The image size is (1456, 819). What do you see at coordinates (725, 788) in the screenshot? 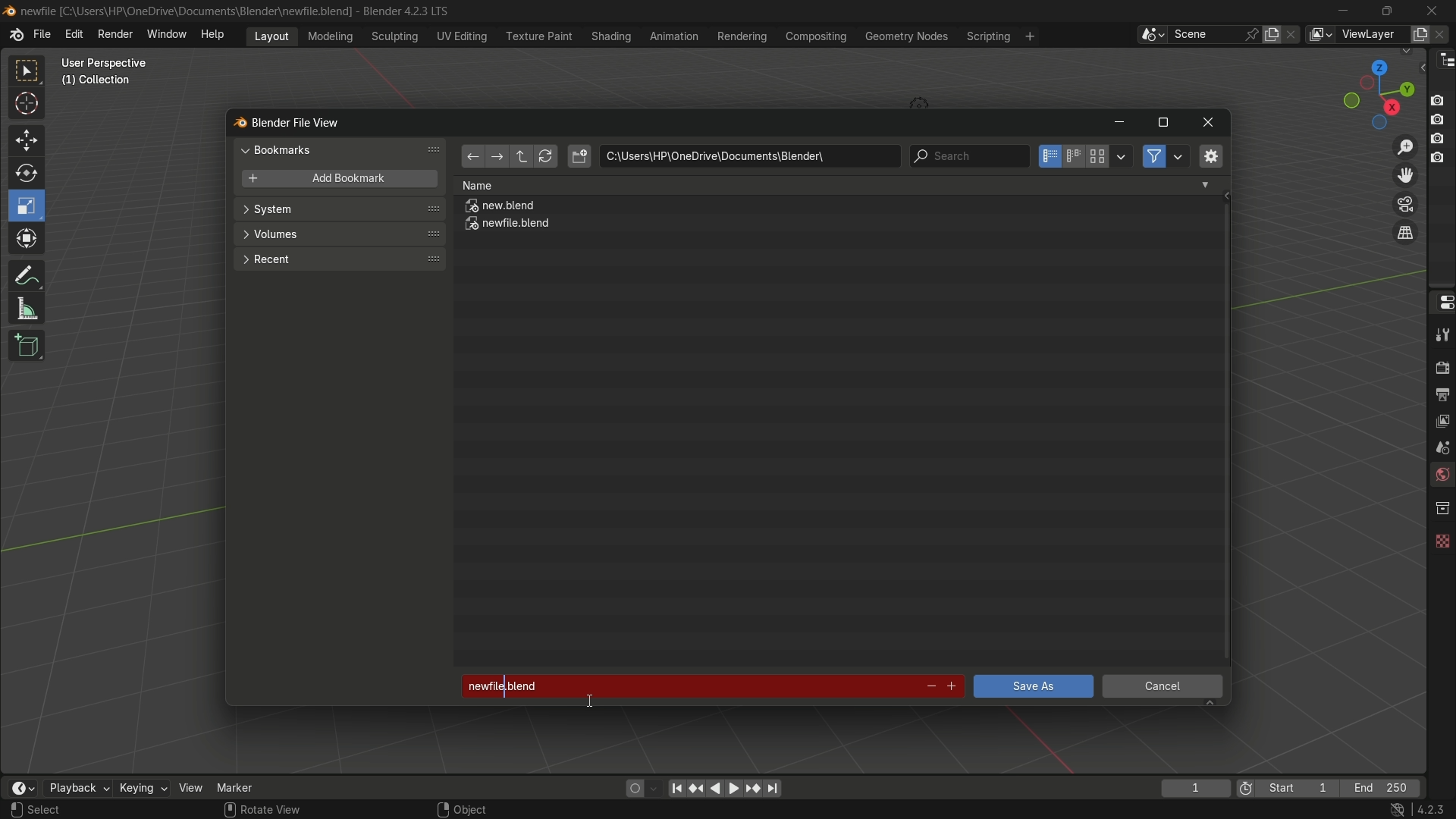
I see `play animation` at bounding box center [725, 788].